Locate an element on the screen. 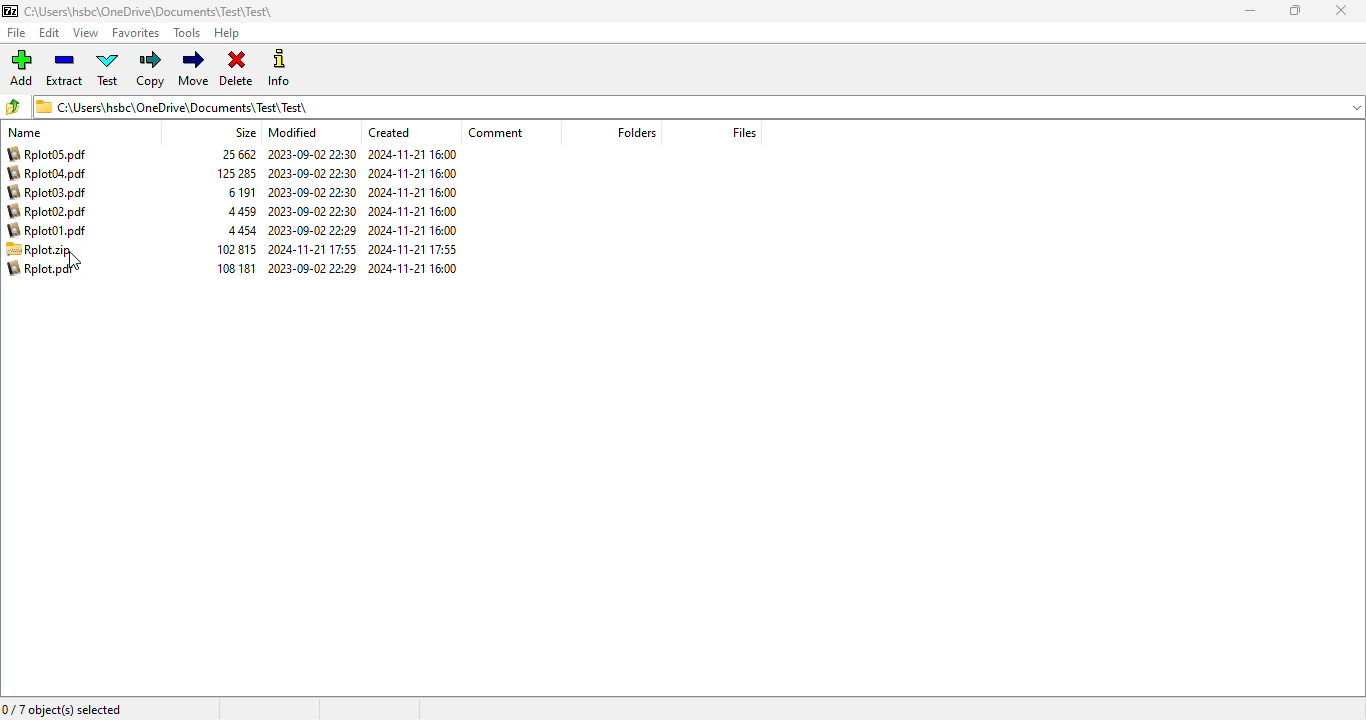  created is located at coordinates (389, 133).